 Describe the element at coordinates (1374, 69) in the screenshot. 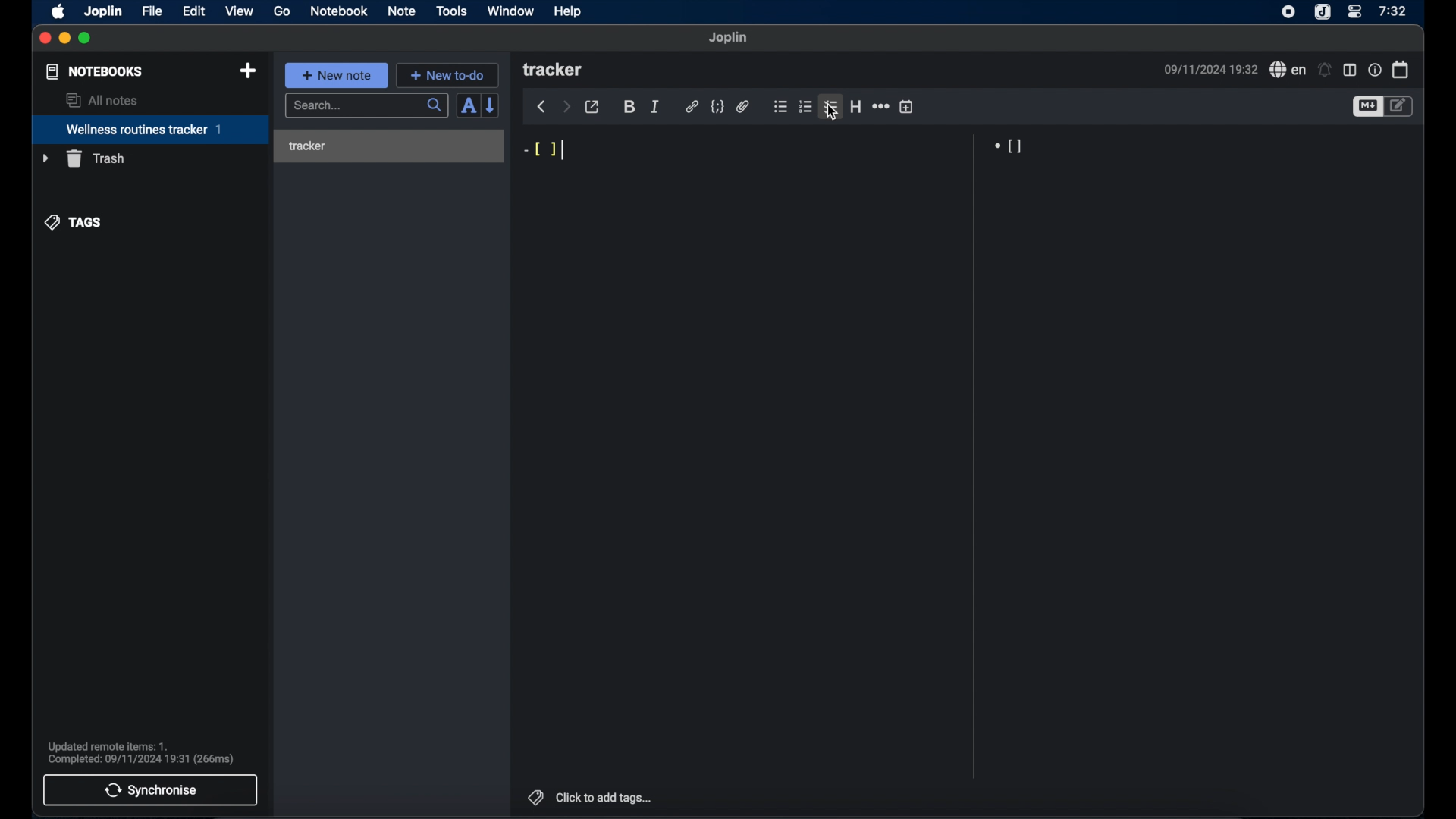

I see `note properties` at that location.